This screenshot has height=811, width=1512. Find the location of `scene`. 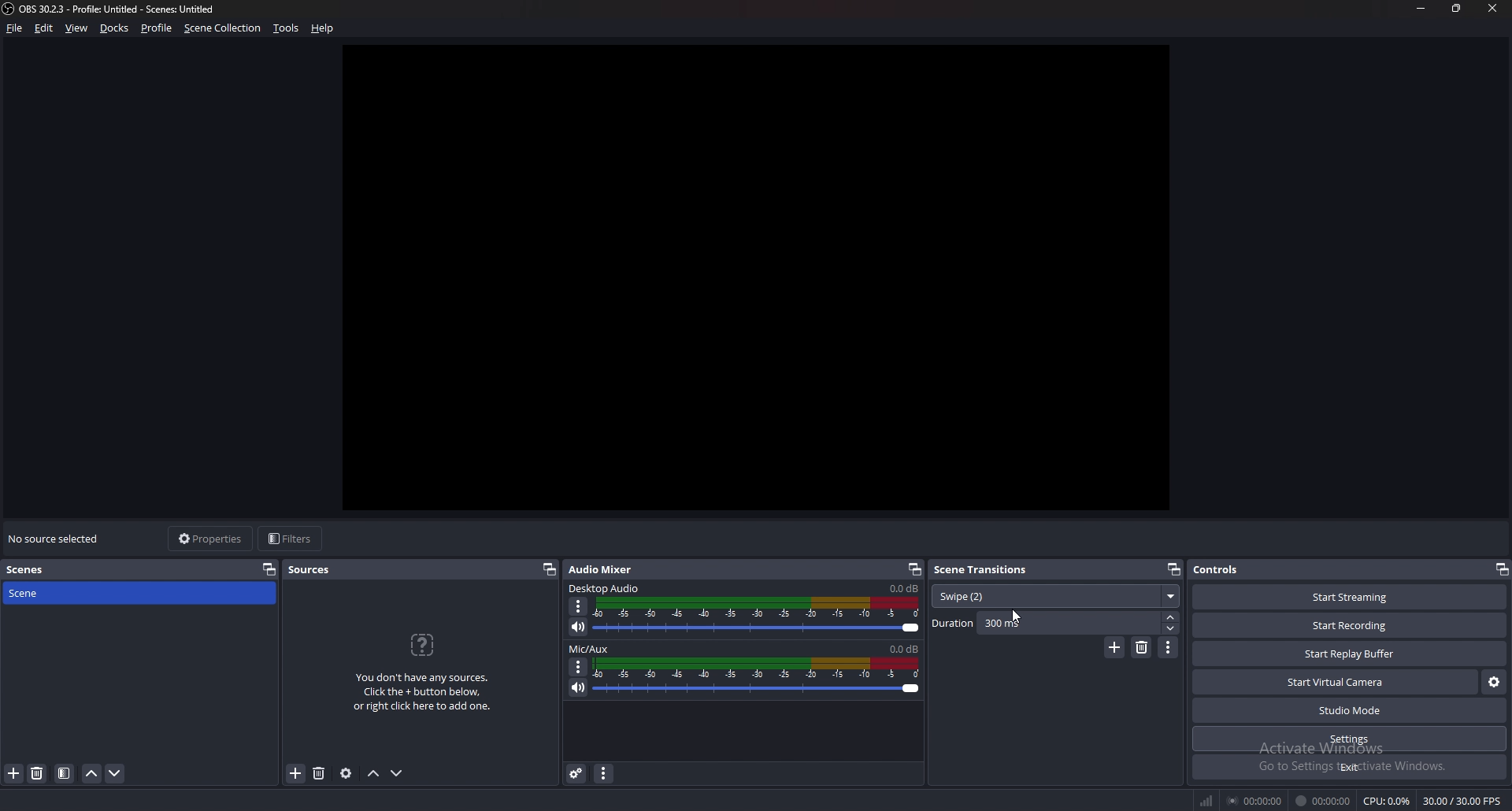

scene is located at coordinates (42, 592).